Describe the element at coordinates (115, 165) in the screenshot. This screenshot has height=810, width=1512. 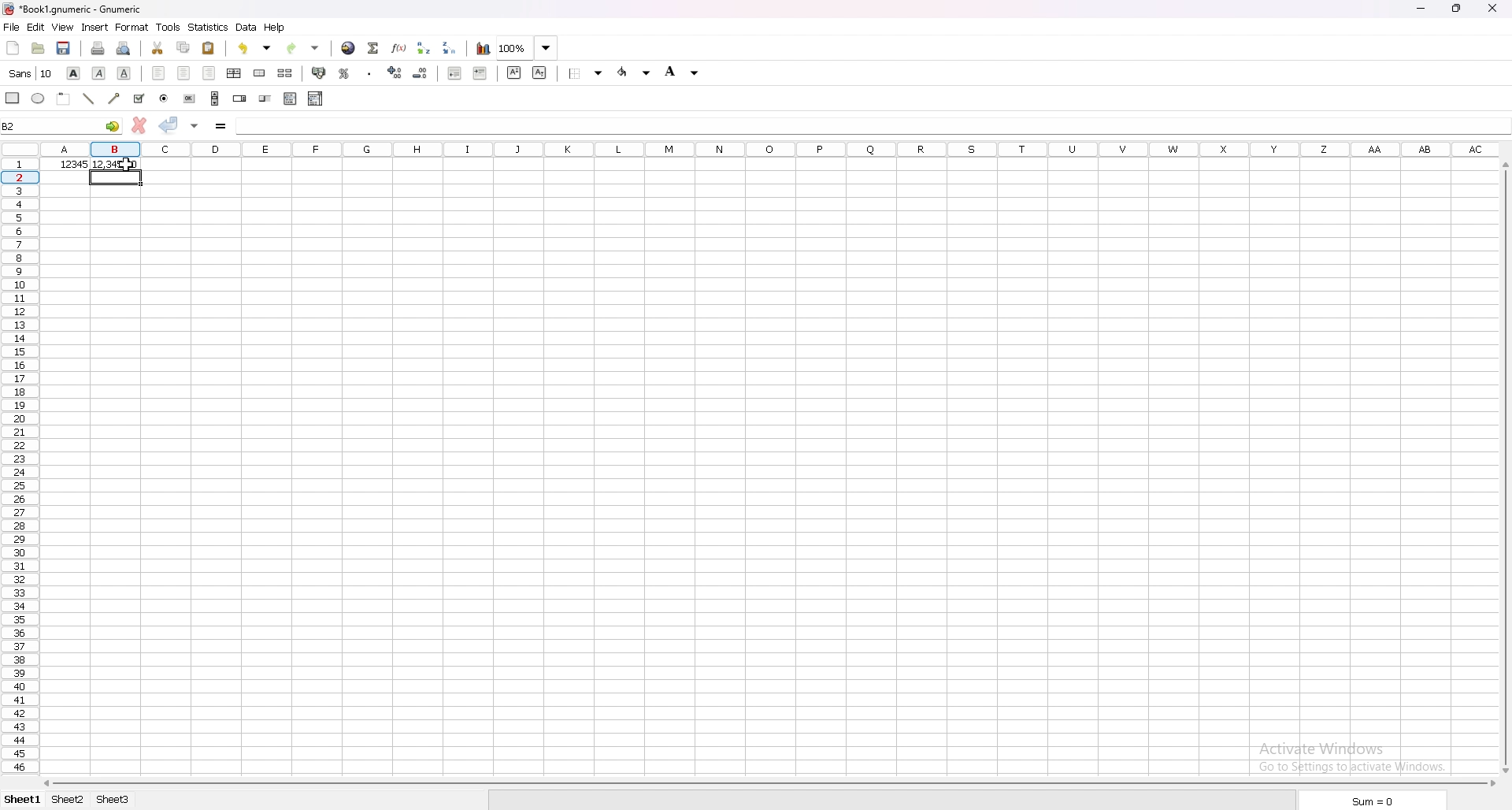
I see `output` at that location.